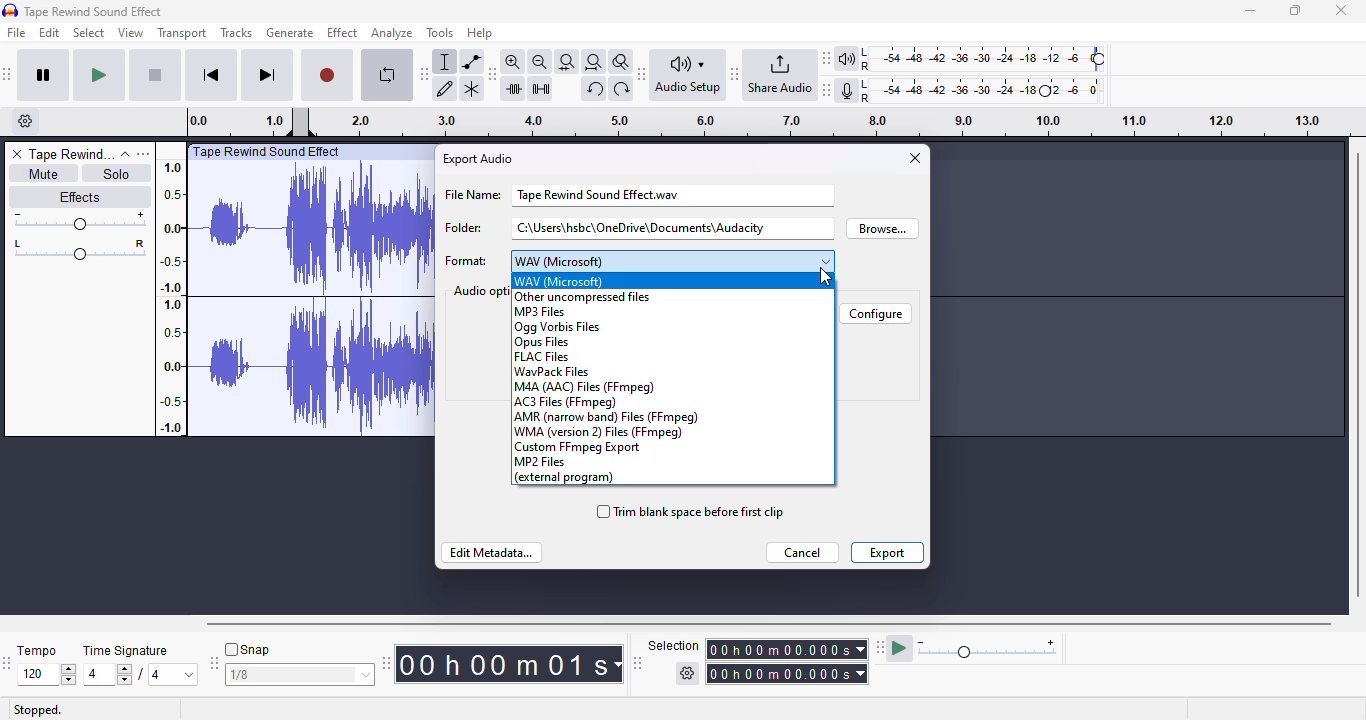 The height and width of the screenshot is (720, 1366). I want to click on tracks, so click(236, 33).